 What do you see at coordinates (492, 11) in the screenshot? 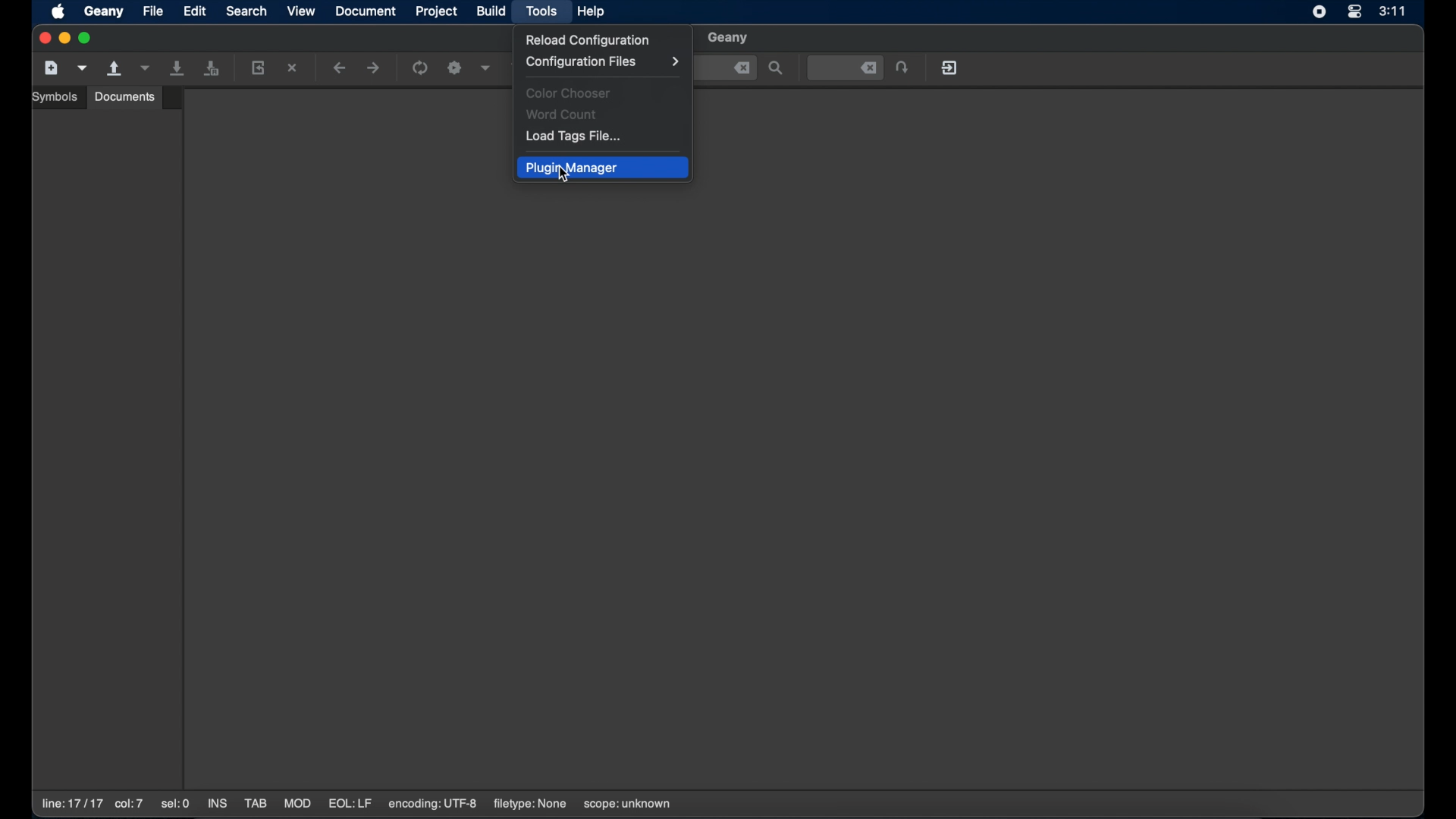
I see `build` at bounding box center [492, 11].